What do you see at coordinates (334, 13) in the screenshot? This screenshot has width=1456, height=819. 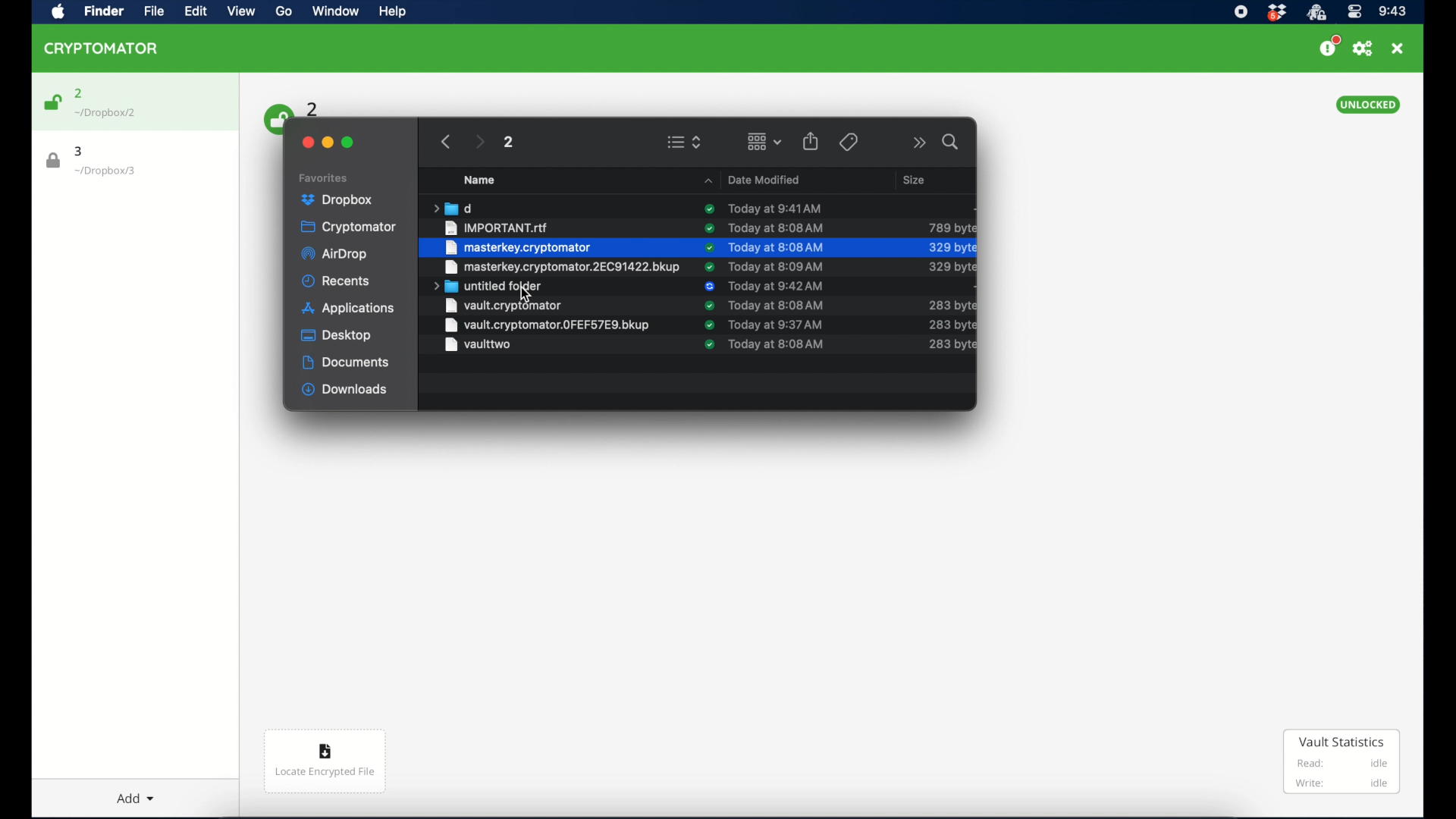 I see `window` at bounding box center [334, 13].